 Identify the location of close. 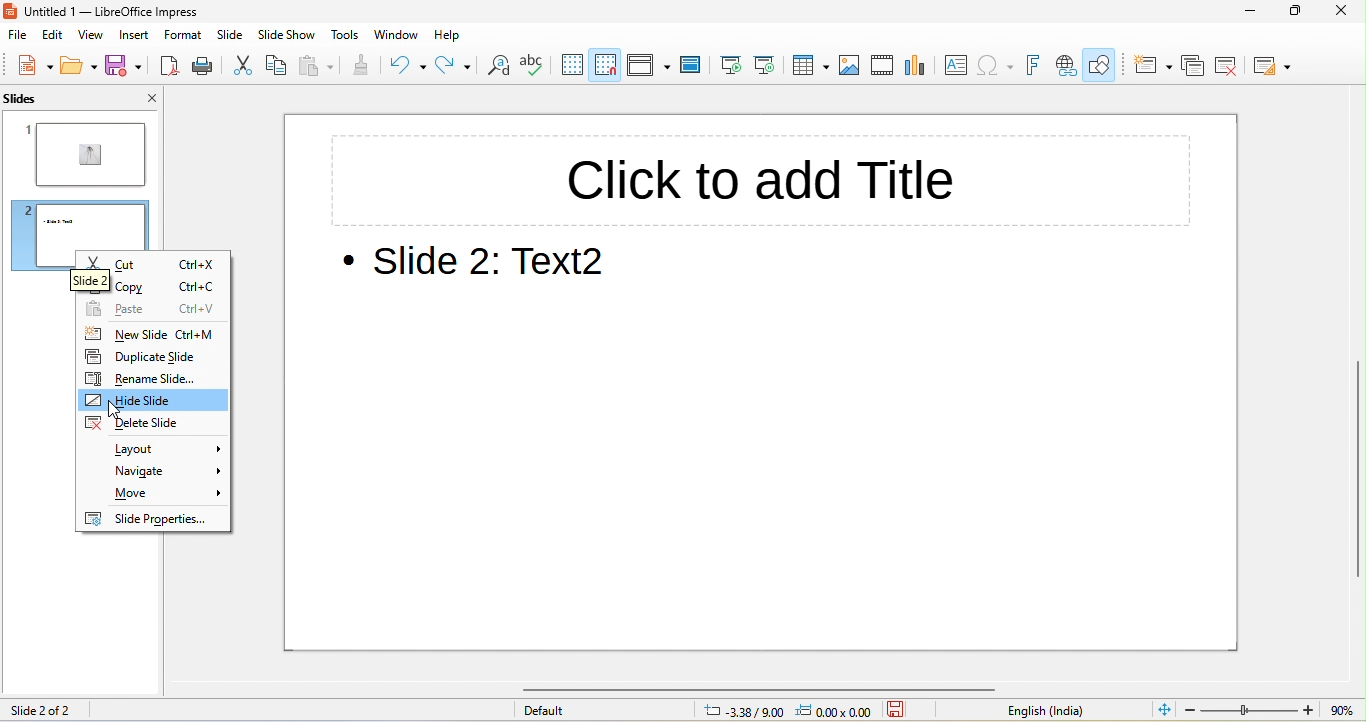
(1340, 12).